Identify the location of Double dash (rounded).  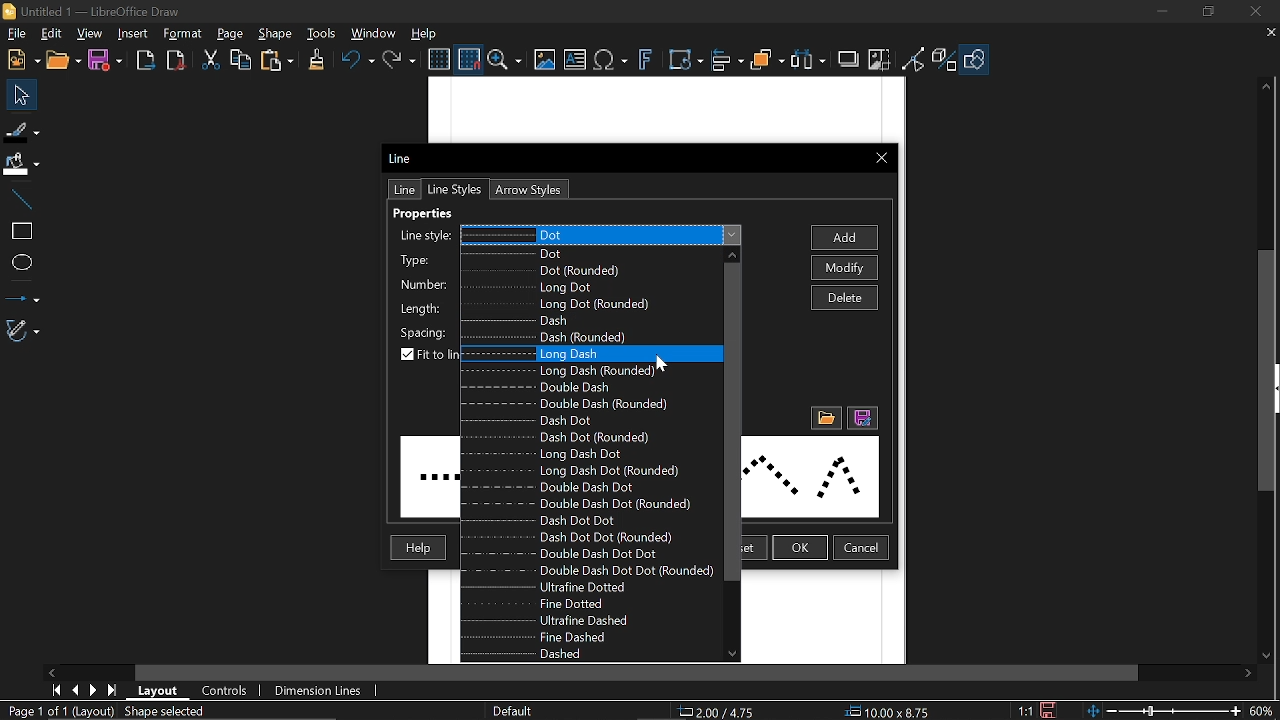
(586, 404).